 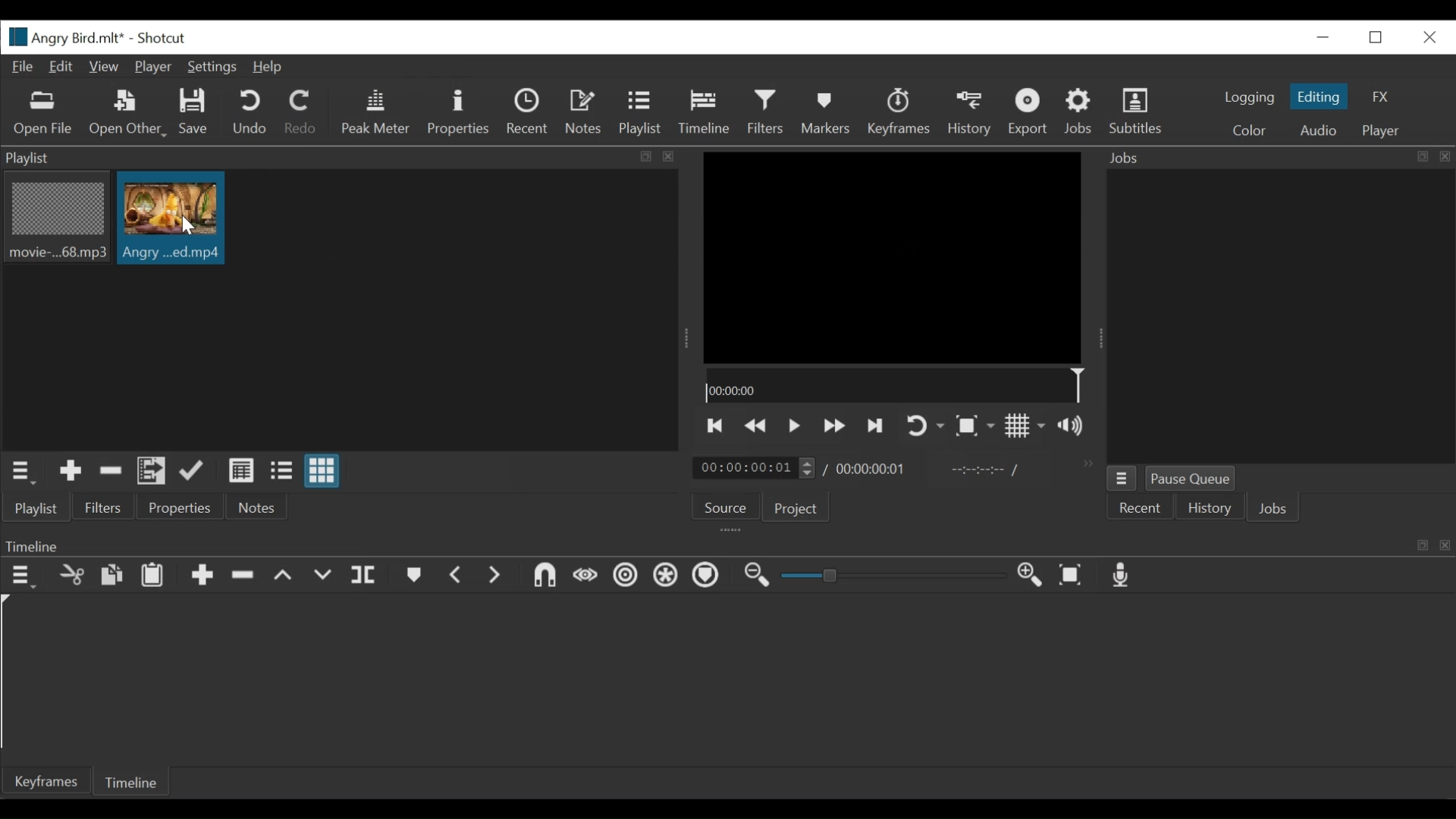 What do you see at coordinates (626, 578) in the screenshot?
I see `Ripple` at bounding box center [626, 578].